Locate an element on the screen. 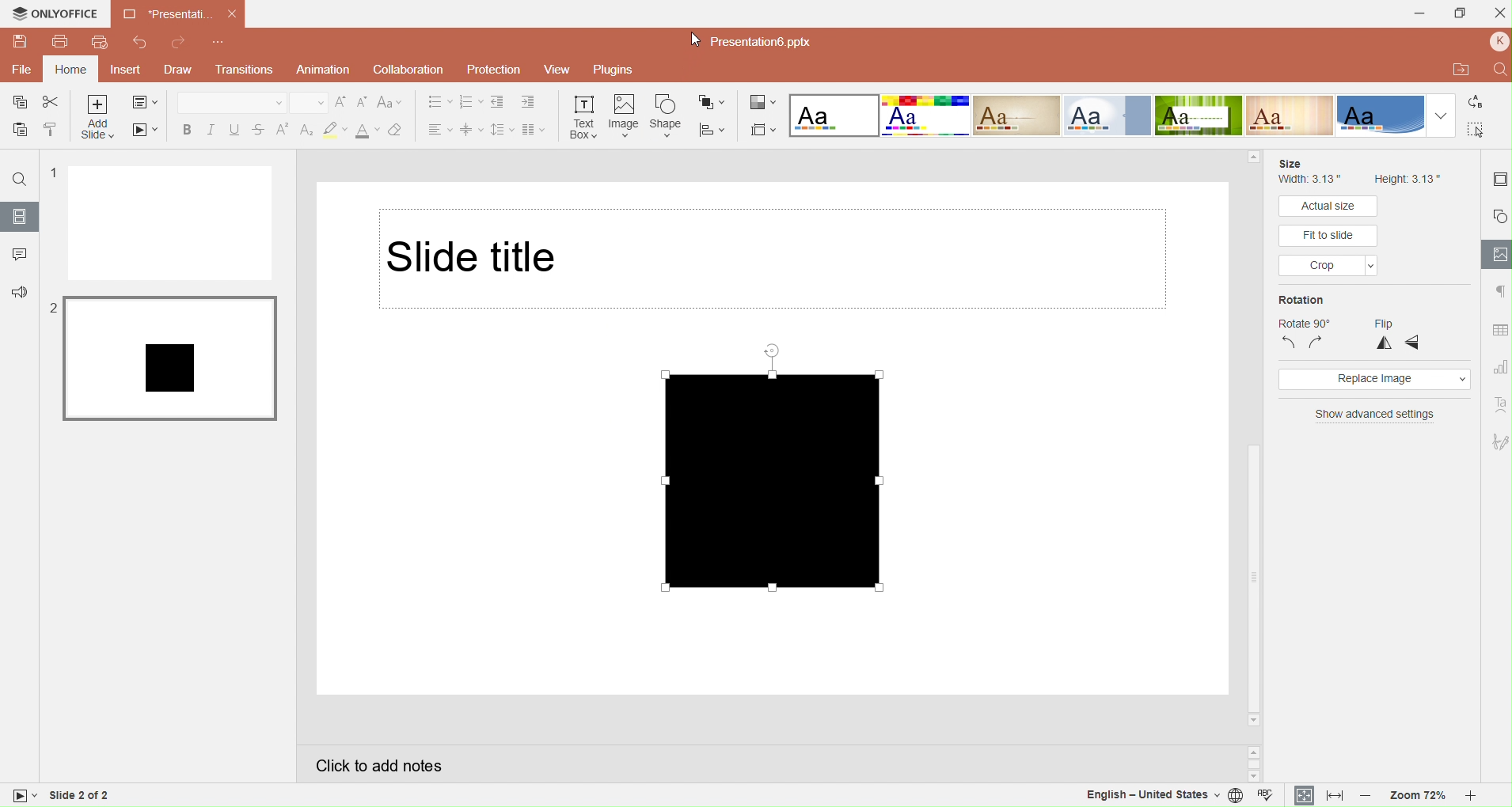 The height and width of the screenshot is (807, 1512). Profile name is located at coordinates (1497, 42).